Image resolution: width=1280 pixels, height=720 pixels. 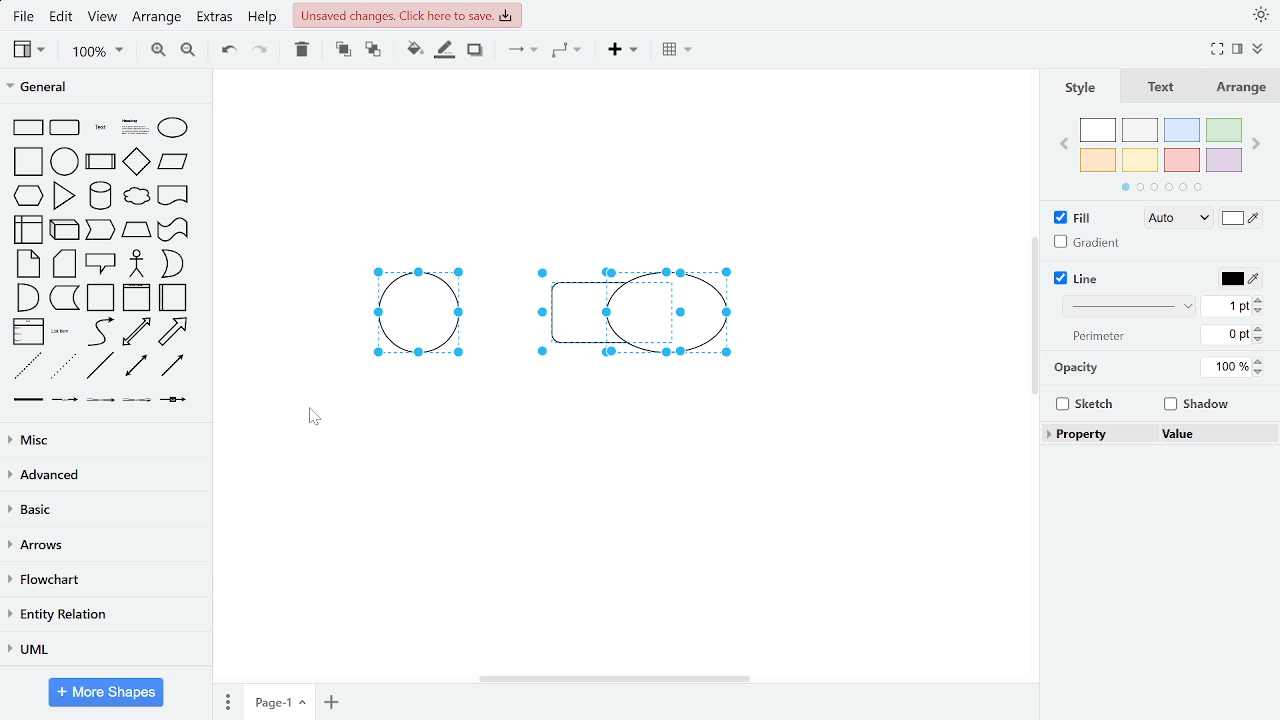 I want to click on rounded rectangle, so click(x=66, y=127).